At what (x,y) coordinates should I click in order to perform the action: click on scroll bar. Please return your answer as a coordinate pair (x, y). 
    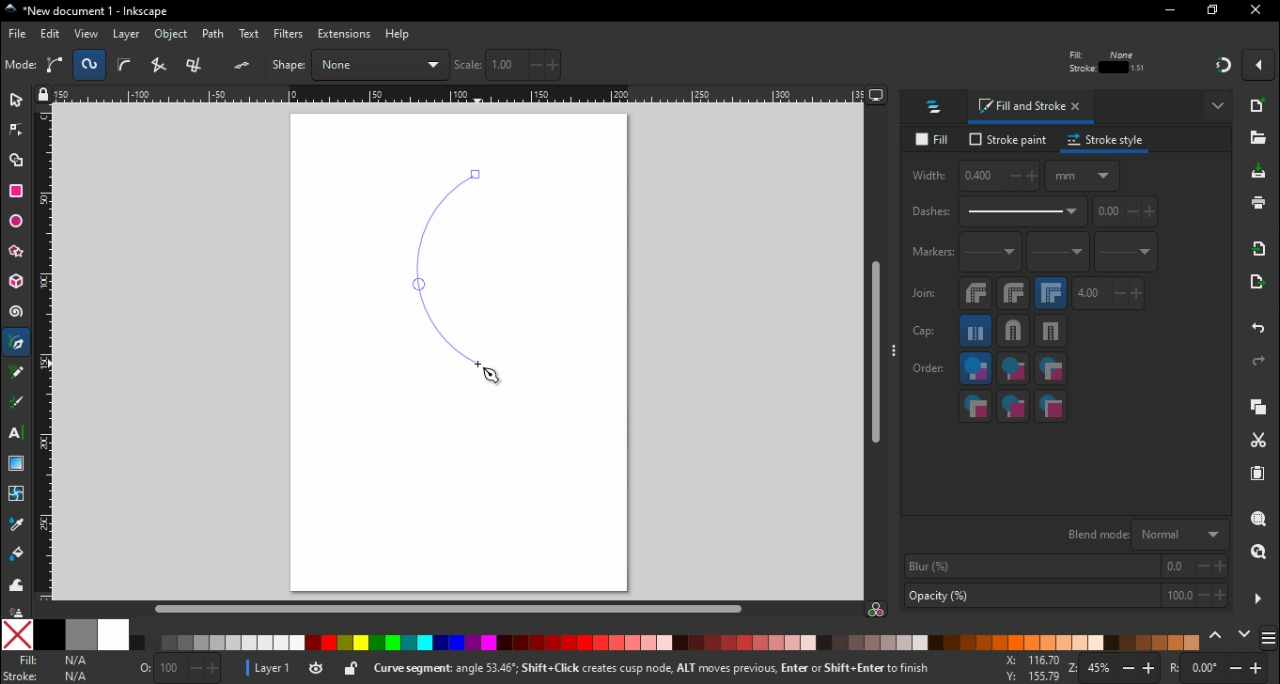
    Looking at the image, I should click on (874, 354).